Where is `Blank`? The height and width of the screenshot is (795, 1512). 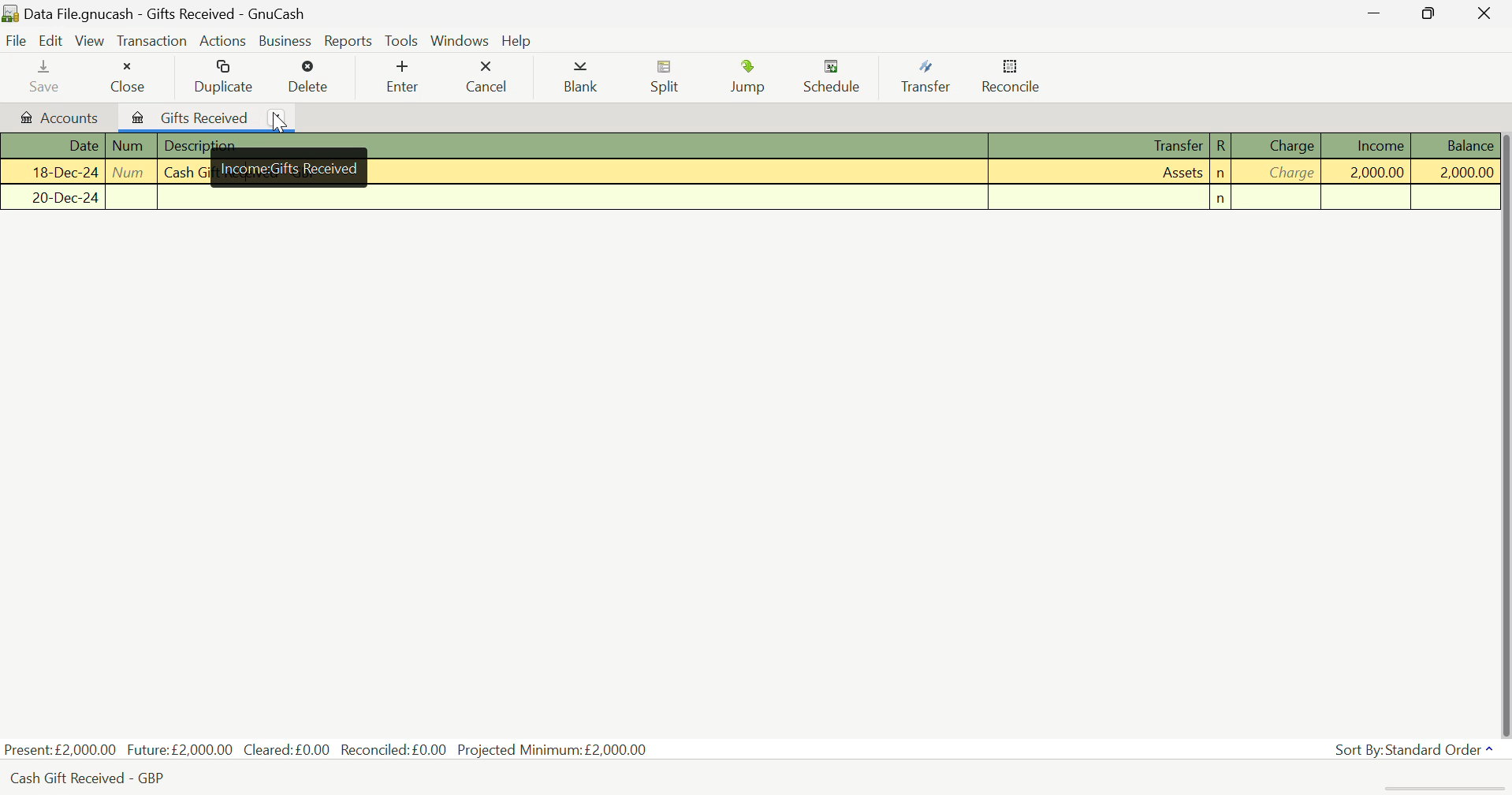
Blank is located at coordinates (583, 78).